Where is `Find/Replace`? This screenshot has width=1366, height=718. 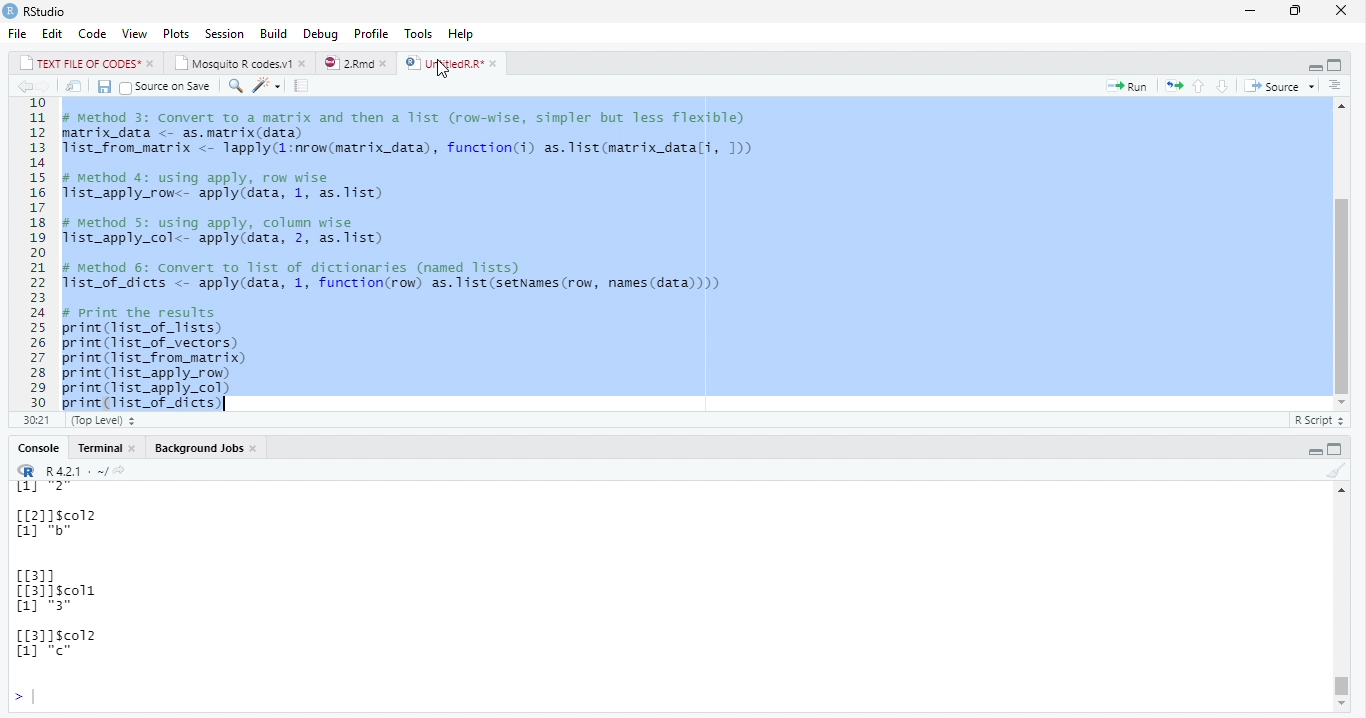
Find/Replace is located at coordinates (236, 86).